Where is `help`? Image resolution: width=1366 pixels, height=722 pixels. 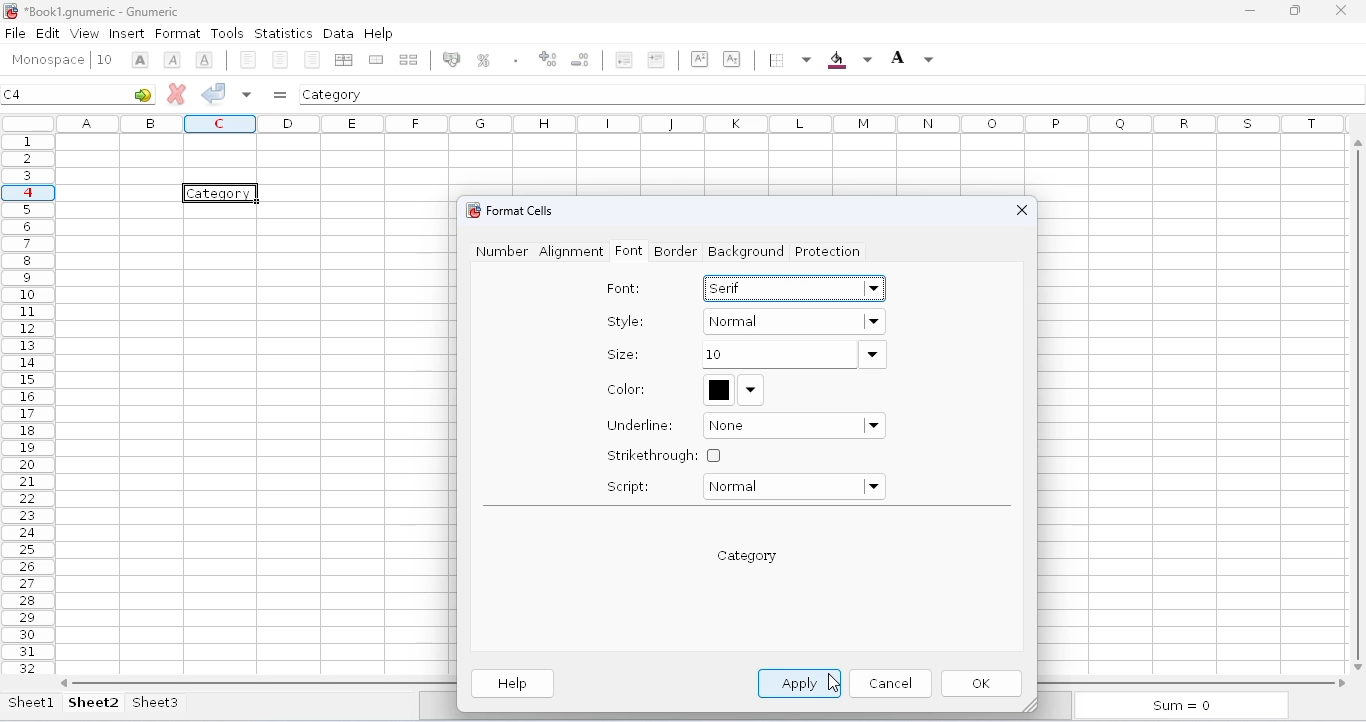
help is located at coordinates (514, 684).